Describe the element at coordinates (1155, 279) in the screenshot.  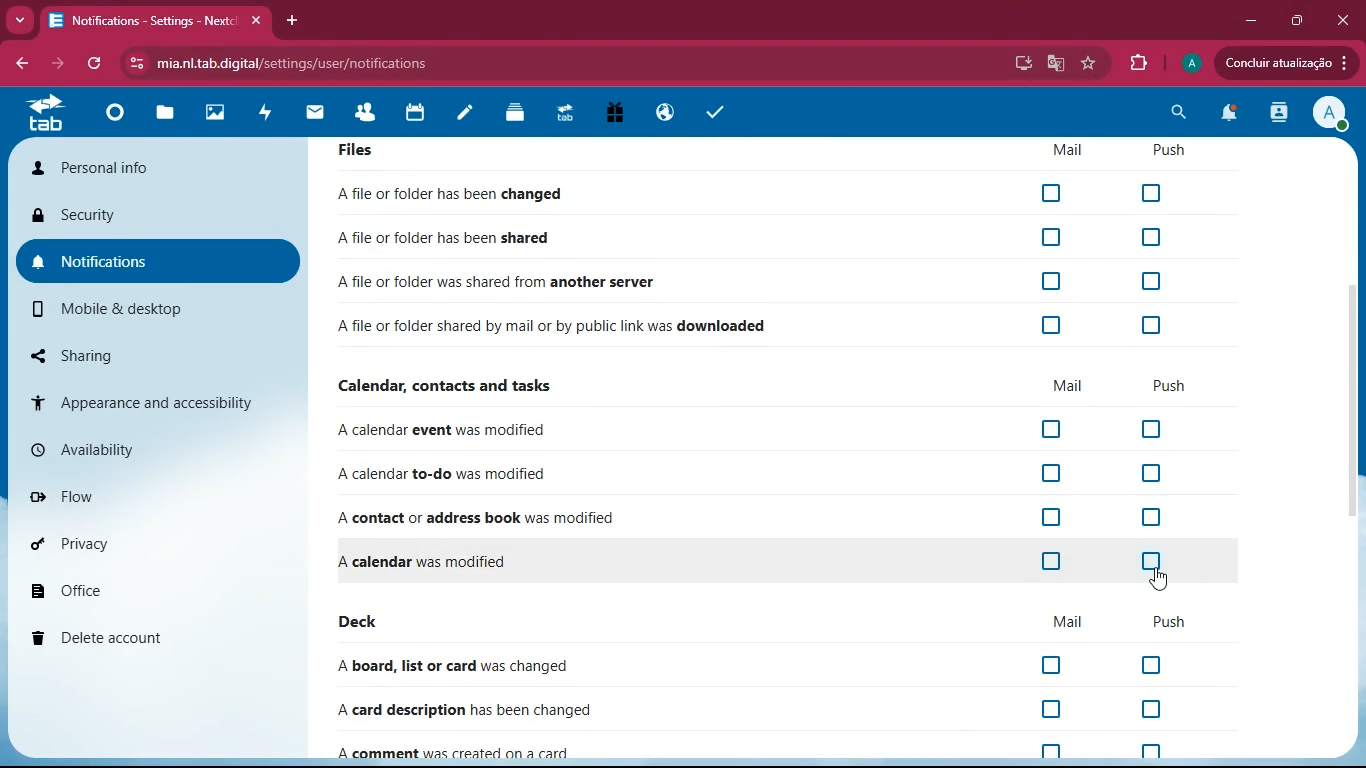
I see `Checkbox` at that location.